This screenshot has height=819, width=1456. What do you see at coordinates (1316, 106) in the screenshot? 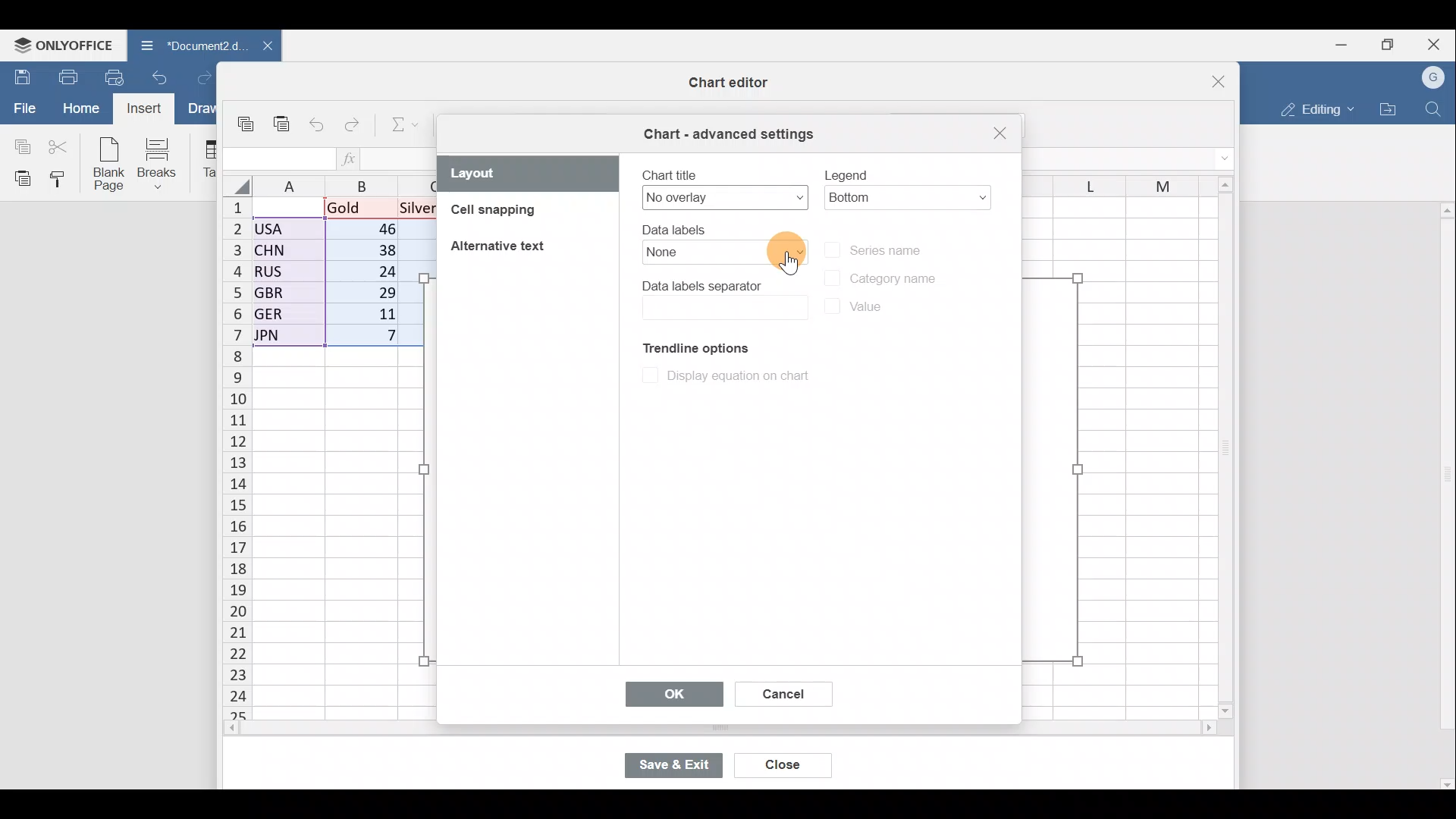
I see `Editing mode` at bounding box center [1316, 106].